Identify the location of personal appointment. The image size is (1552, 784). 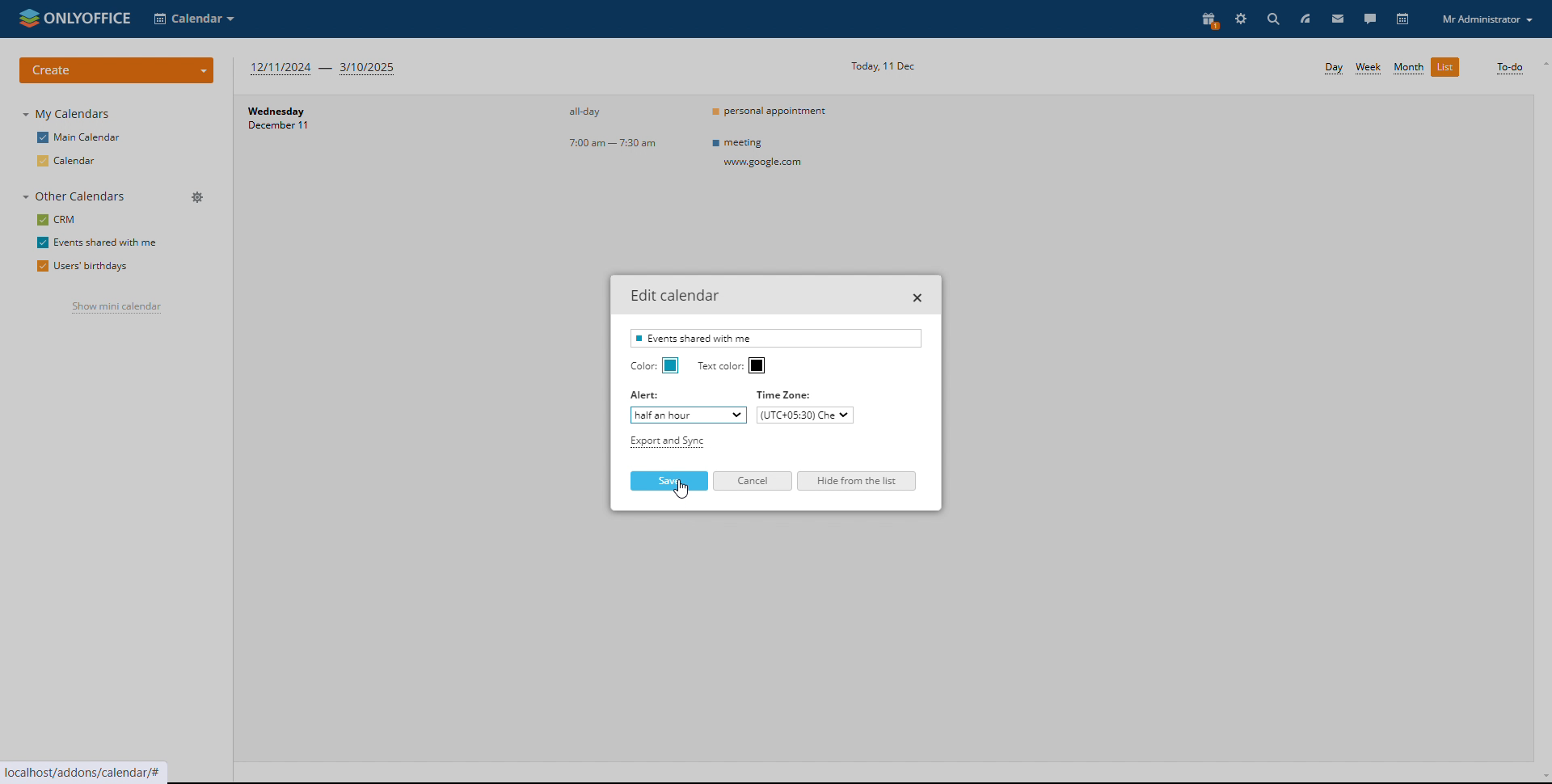
(773, 110).